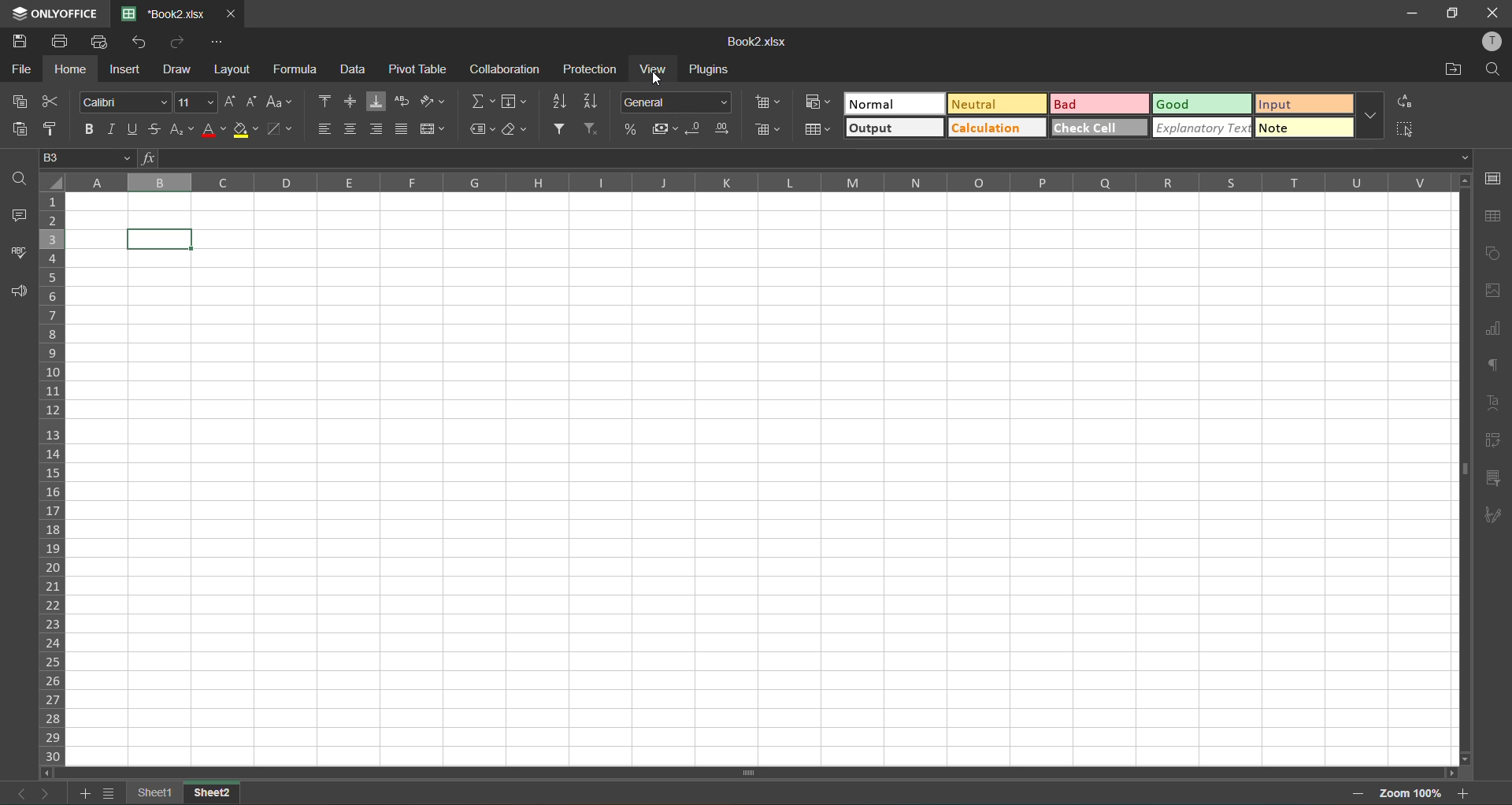 This screenshot has width=1512, height=805. What do you see at coordinates (198, 101) in the screenshot?
I see `font size` at bounding box center [198, 101].